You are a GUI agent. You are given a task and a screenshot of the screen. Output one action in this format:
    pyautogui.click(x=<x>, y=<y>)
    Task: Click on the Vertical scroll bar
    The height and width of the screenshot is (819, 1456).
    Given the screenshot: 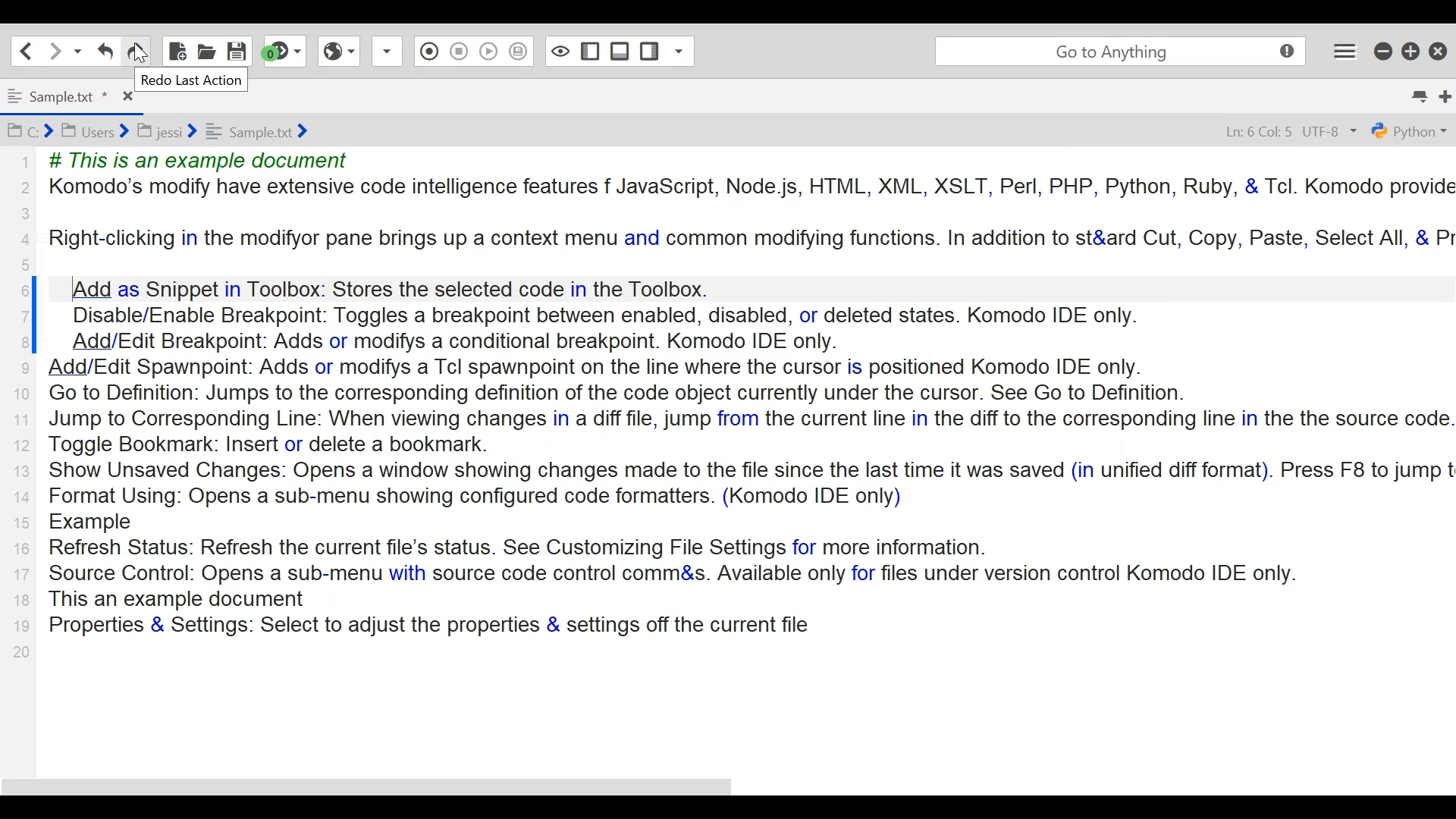 What is the action you would take?
    pyautogui.click(x=34, y=315)
    